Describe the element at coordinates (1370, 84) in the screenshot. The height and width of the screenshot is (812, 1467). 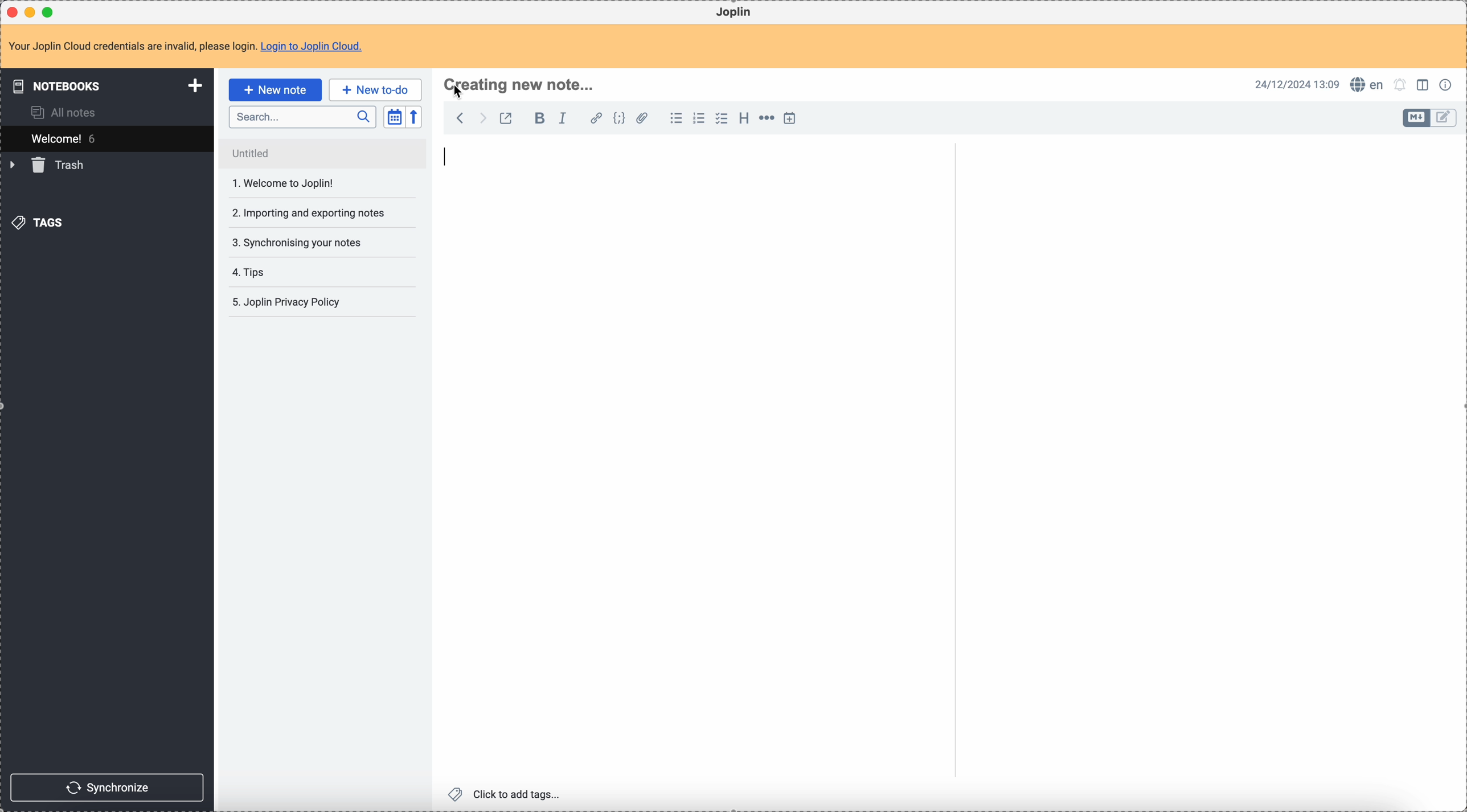
I see `spell checker` at that location.